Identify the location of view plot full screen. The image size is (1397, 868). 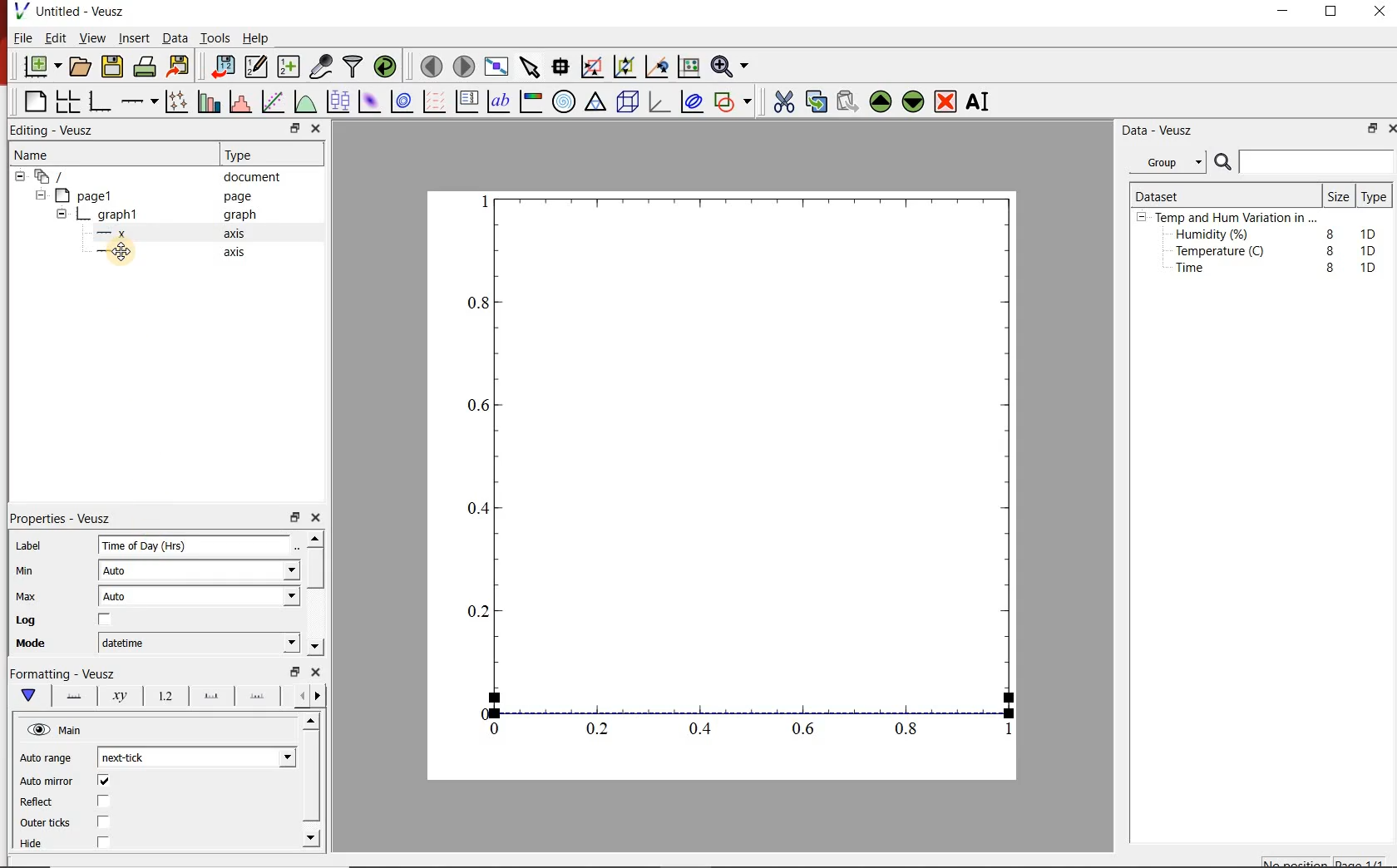
(497, 67).